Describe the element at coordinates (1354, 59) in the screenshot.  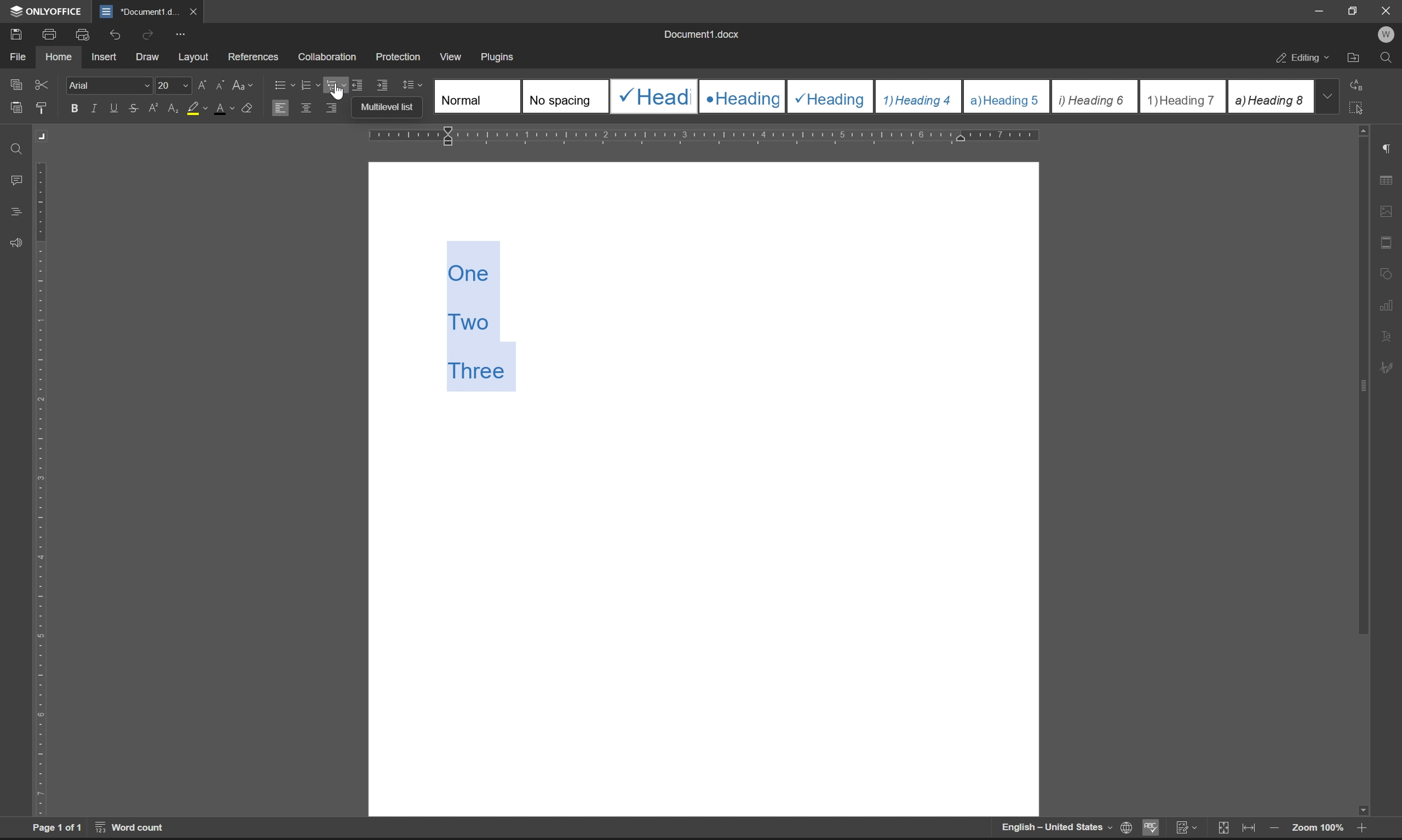
I see `open file location` at that location.